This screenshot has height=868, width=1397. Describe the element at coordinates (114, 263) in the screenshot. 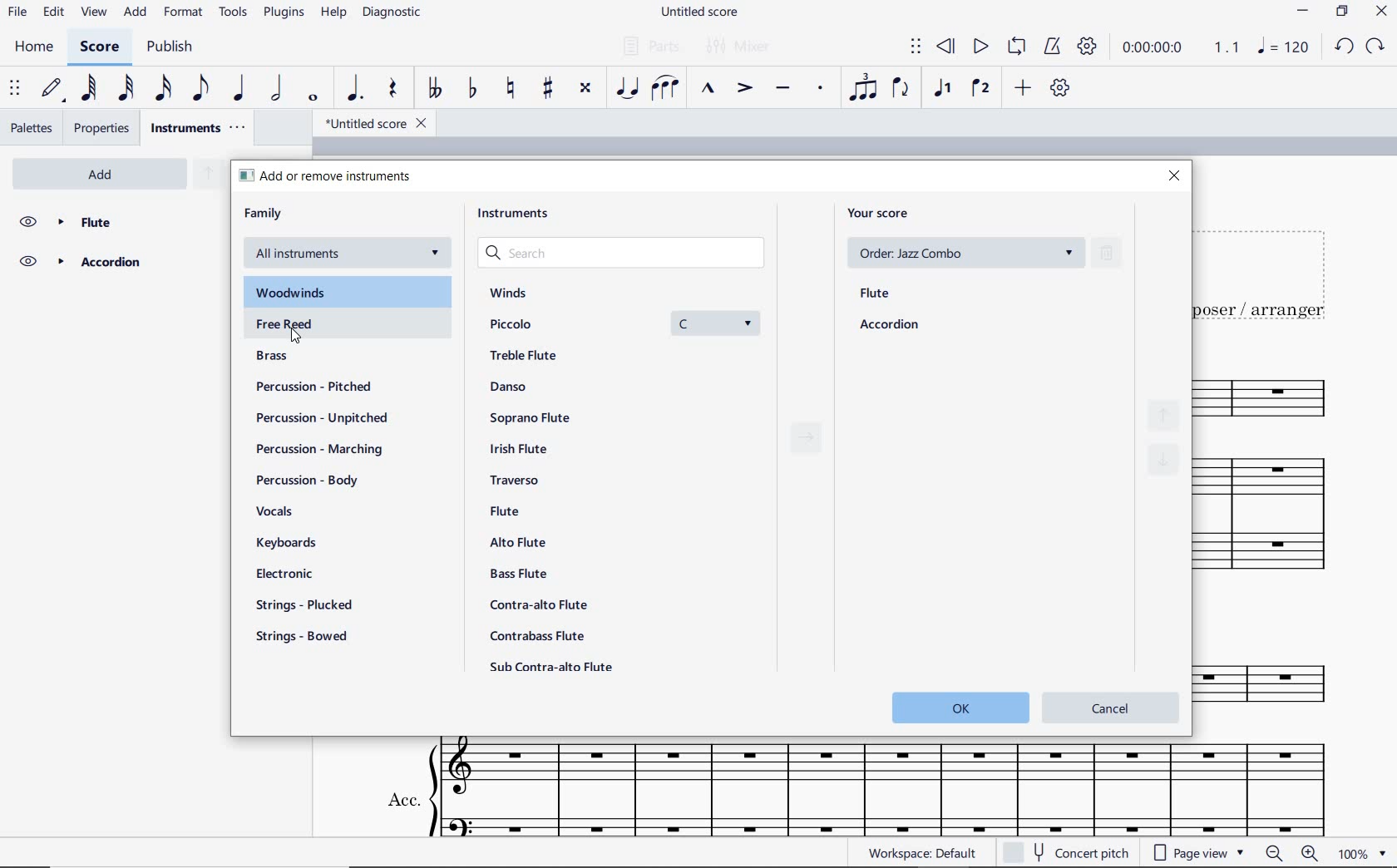

I see `Accordion` at that location.